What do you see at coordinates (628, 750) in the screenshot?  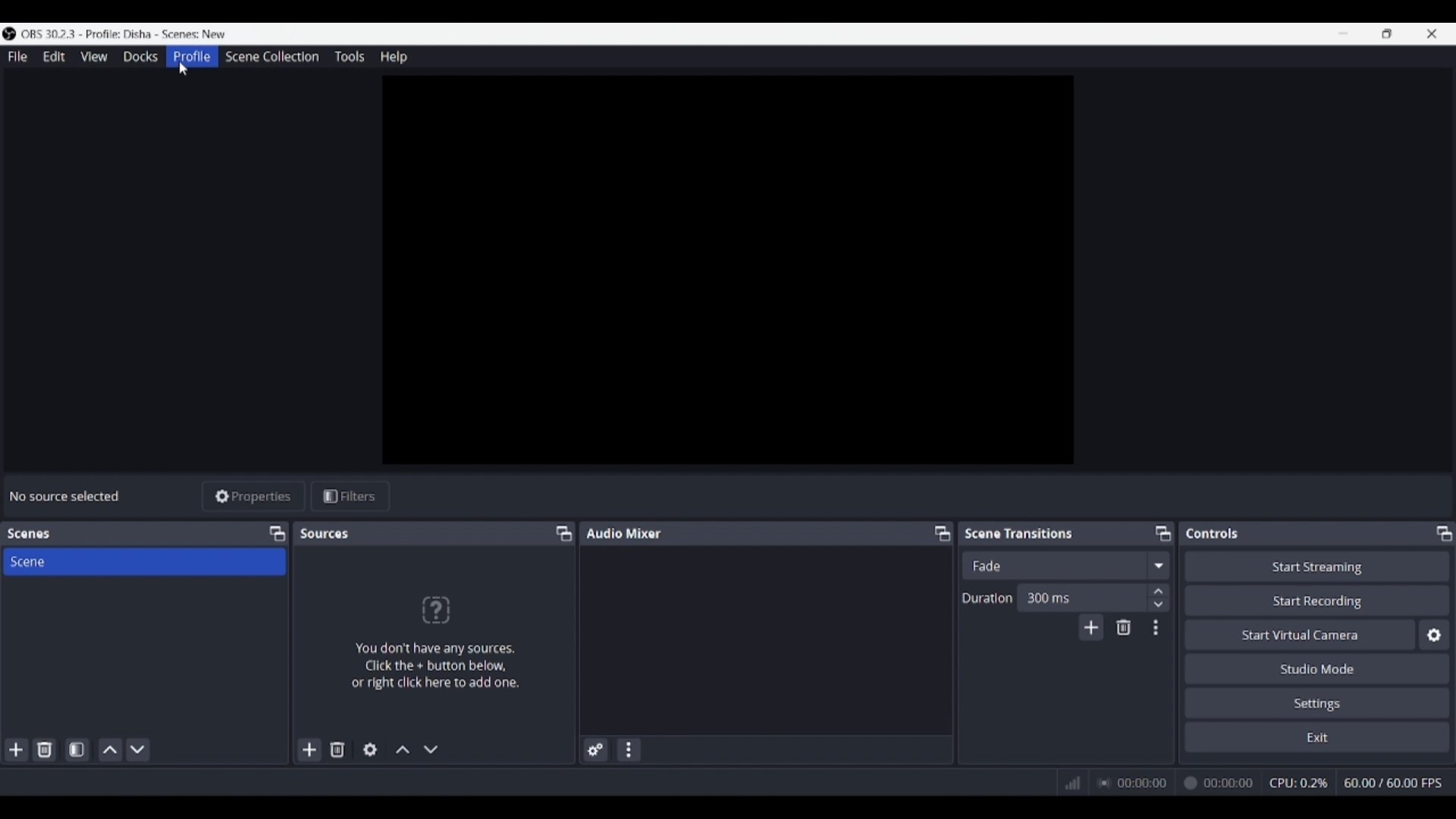 I see `Audio mixer menu` at bounding box center [628, 750].